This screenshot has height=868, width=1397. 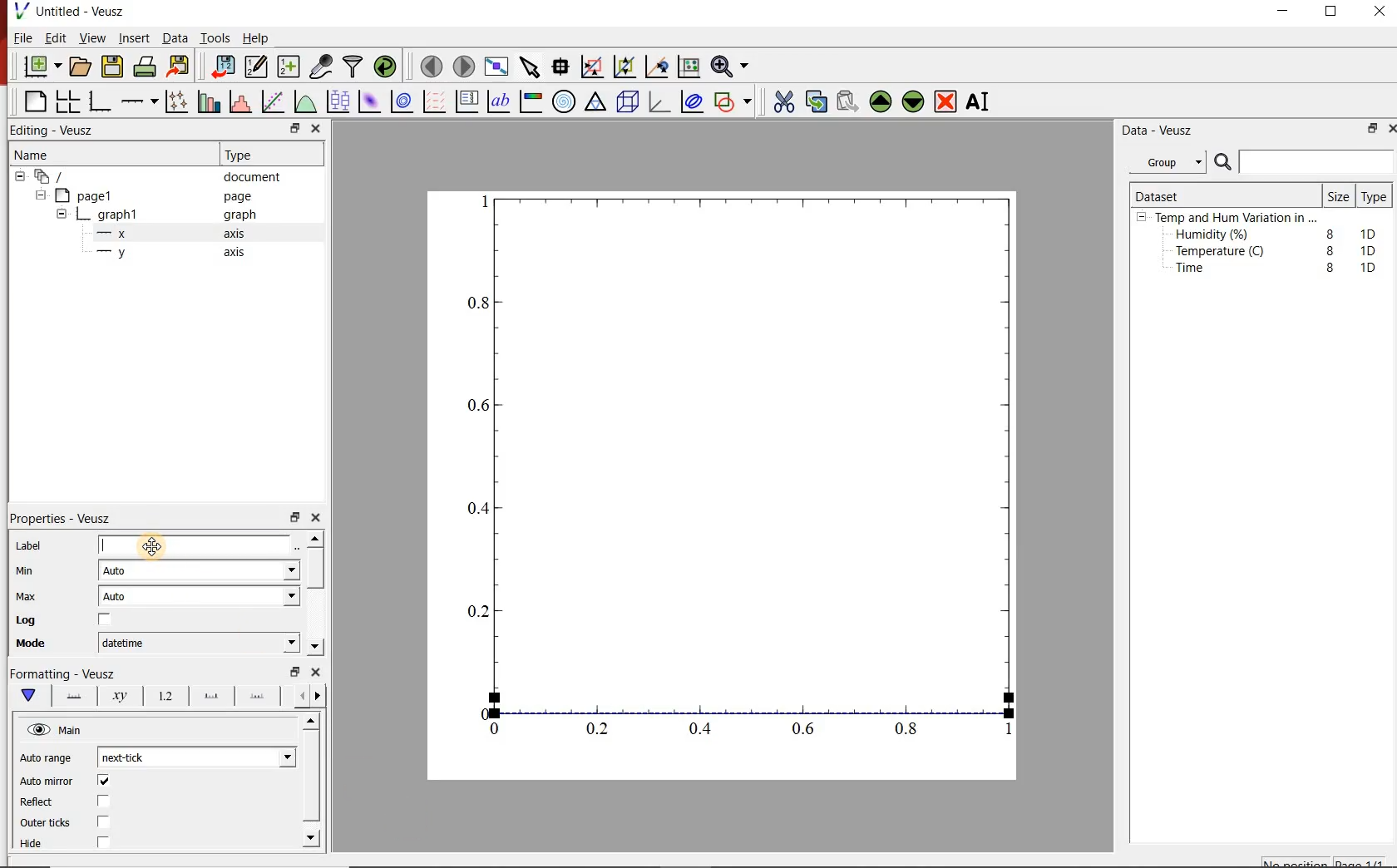 I want to click on plot key, so click(x=470, y=101).